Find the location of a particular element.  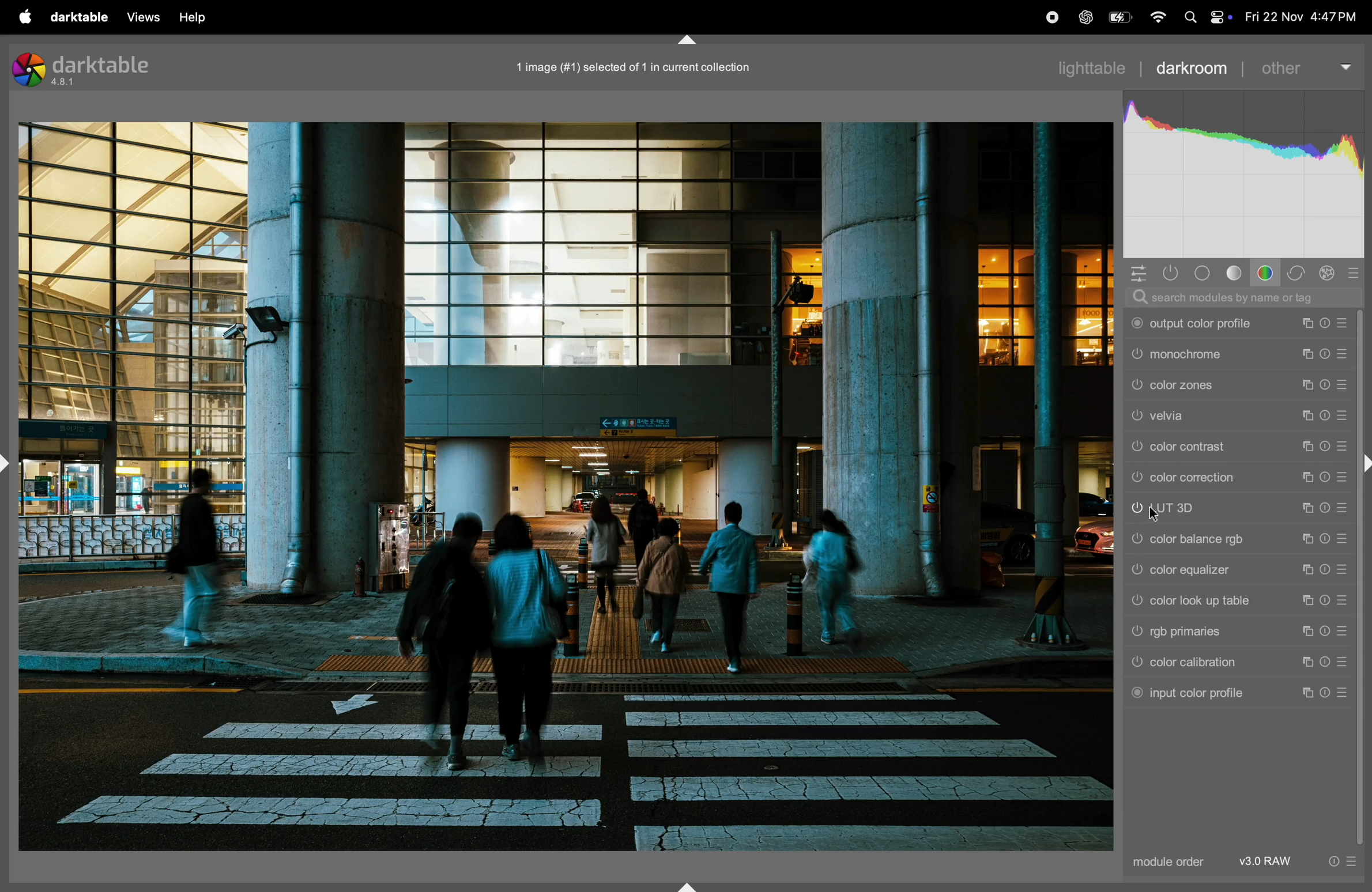

date and time is located at coordinates (1303, 17).